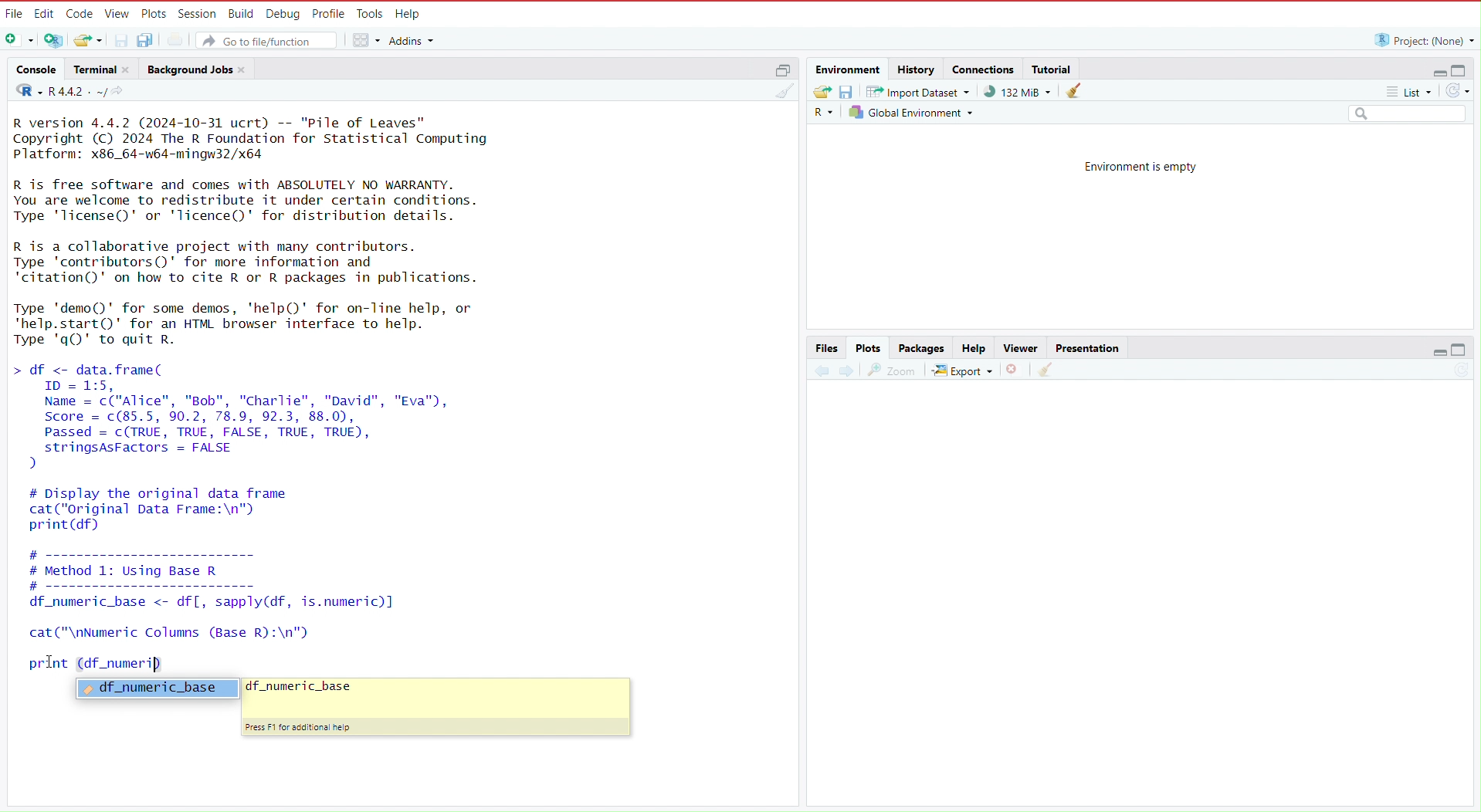 Image resolution: width=1481 pixels, height=812 pixels. What do you see at coordinates (90, 40) in the screenshot?
I see `Open an existing file` at bounding box center [90, 40].